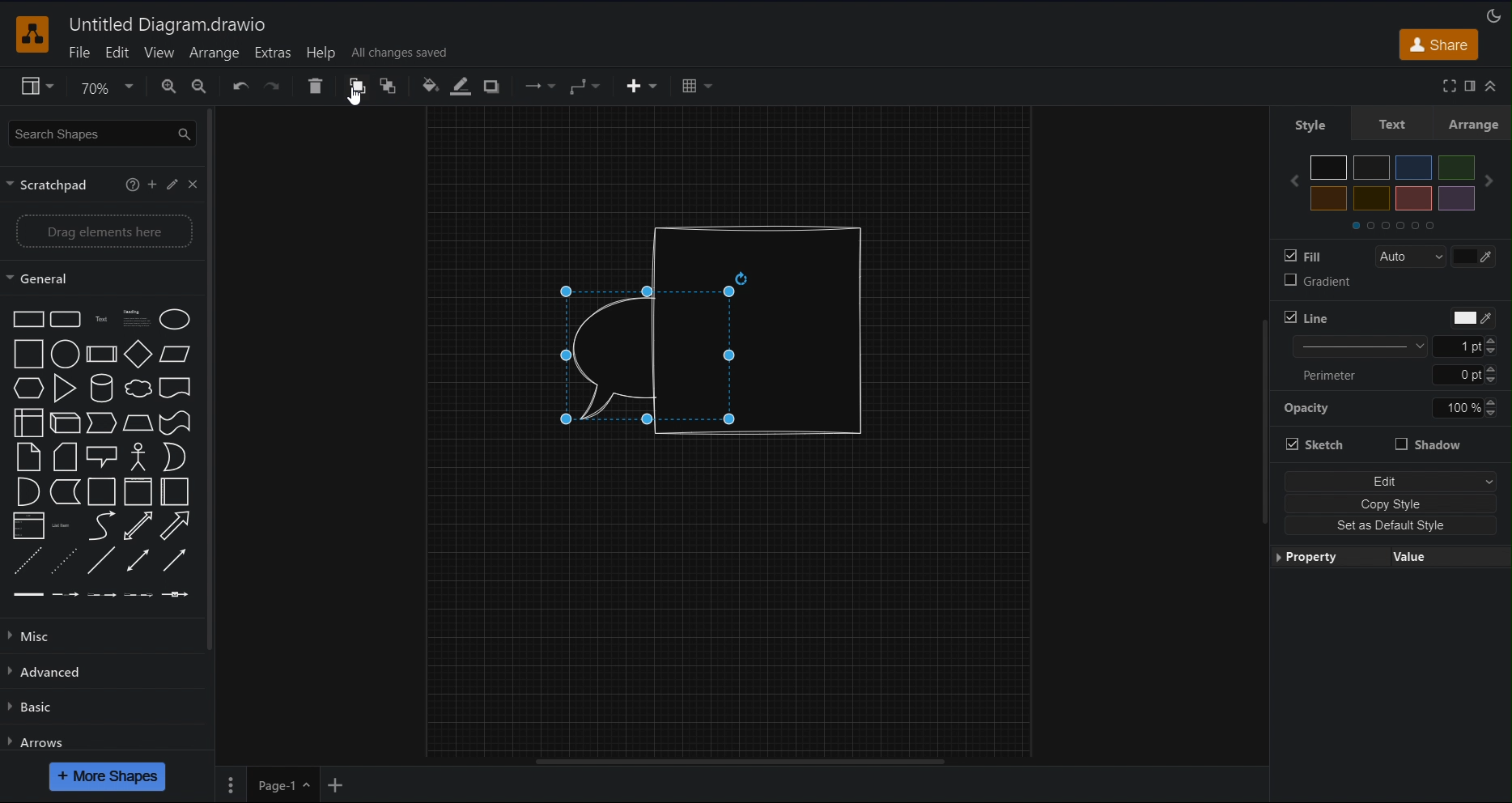 This screenshot has width=1512, height=803. I want to click on Page 1, so click(283, 784).